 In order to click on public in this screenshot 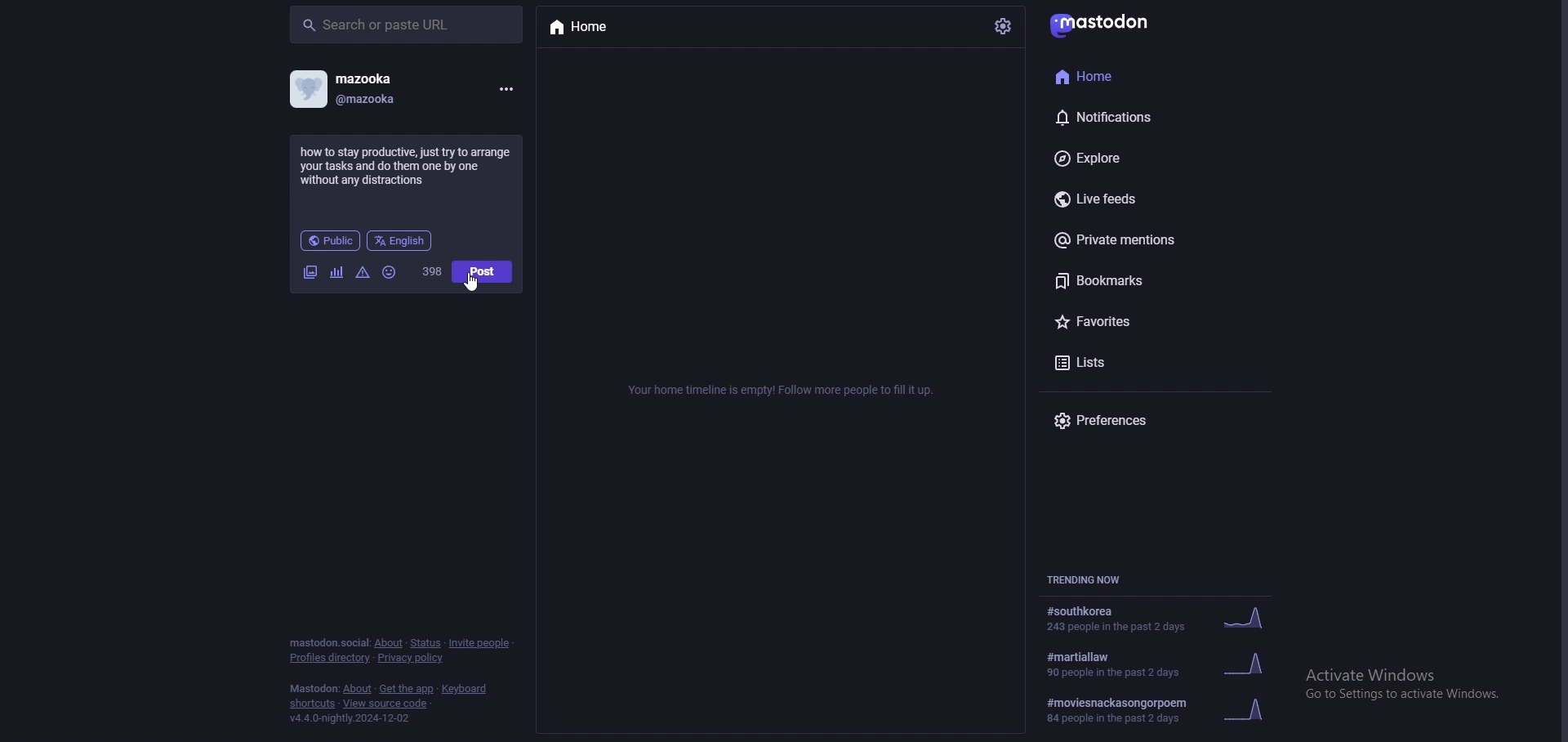, I will do `click(330, 240)`.